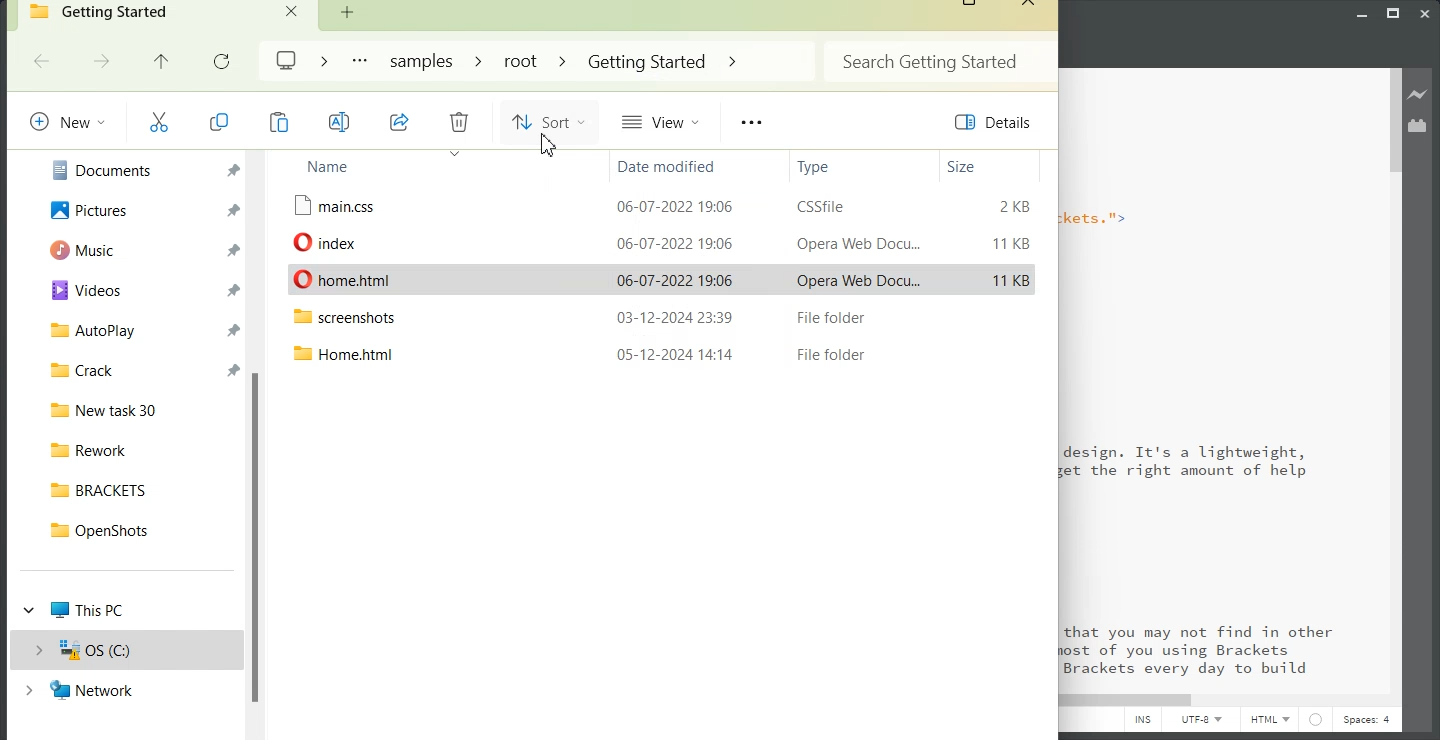 The width and height of the screenshot is (1440, 740). I want to click on Copy, so click(218, 122).